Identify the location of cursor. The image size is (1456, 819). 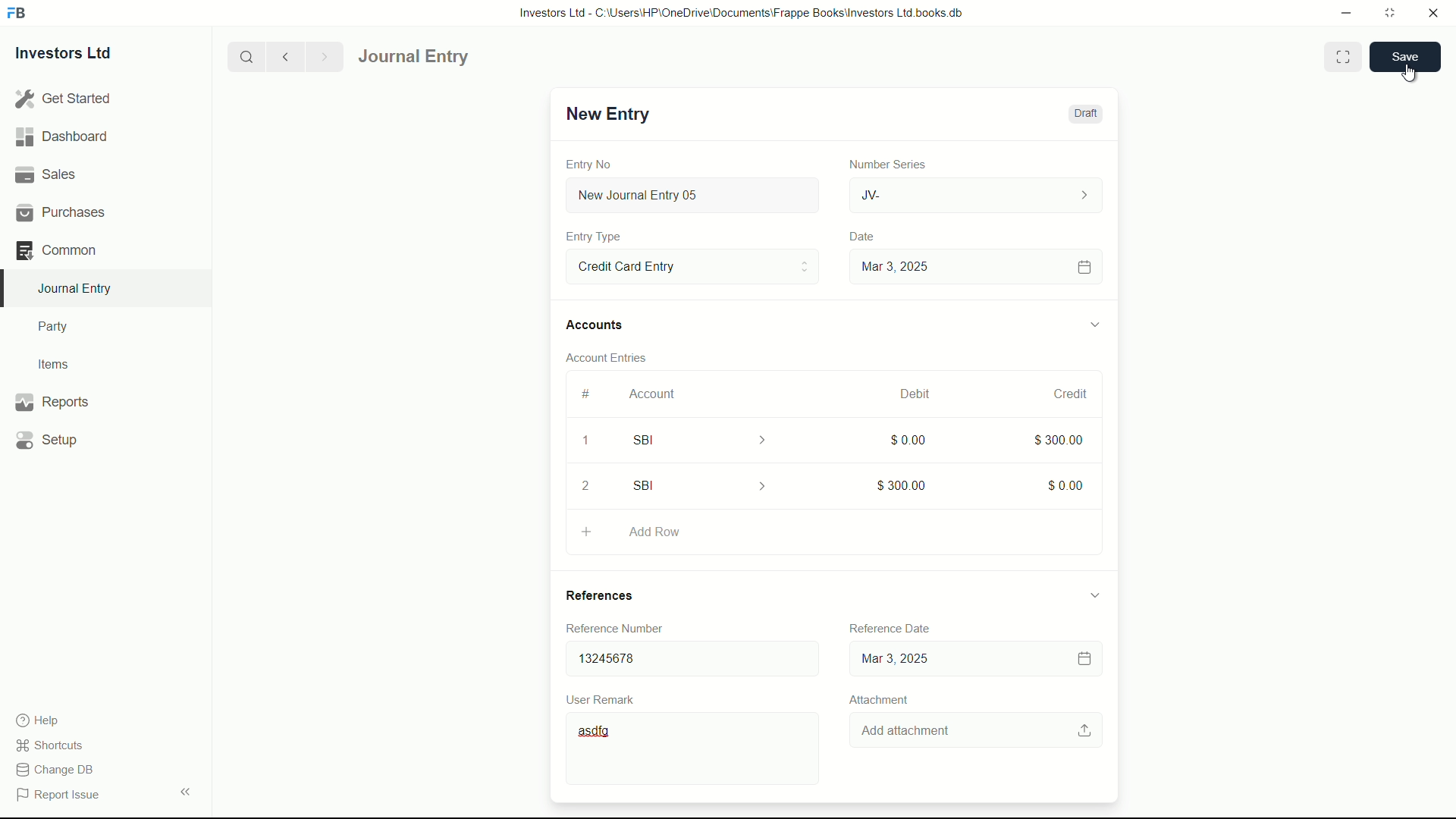
(1410, 71).